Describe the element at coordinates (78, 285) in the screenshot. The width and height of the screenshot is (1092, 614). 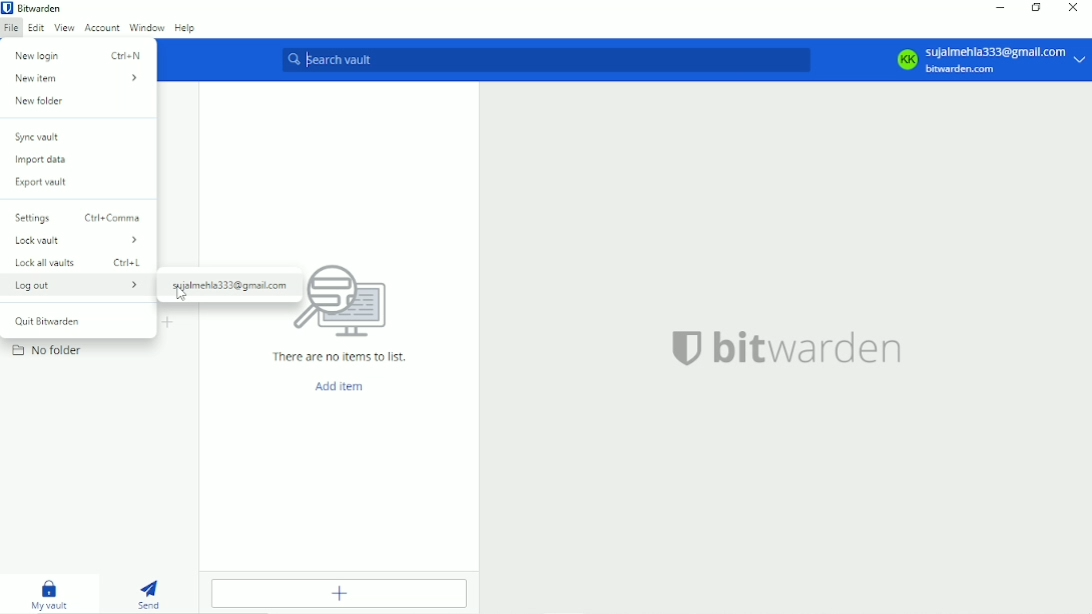
I see `log out
>` at that location.